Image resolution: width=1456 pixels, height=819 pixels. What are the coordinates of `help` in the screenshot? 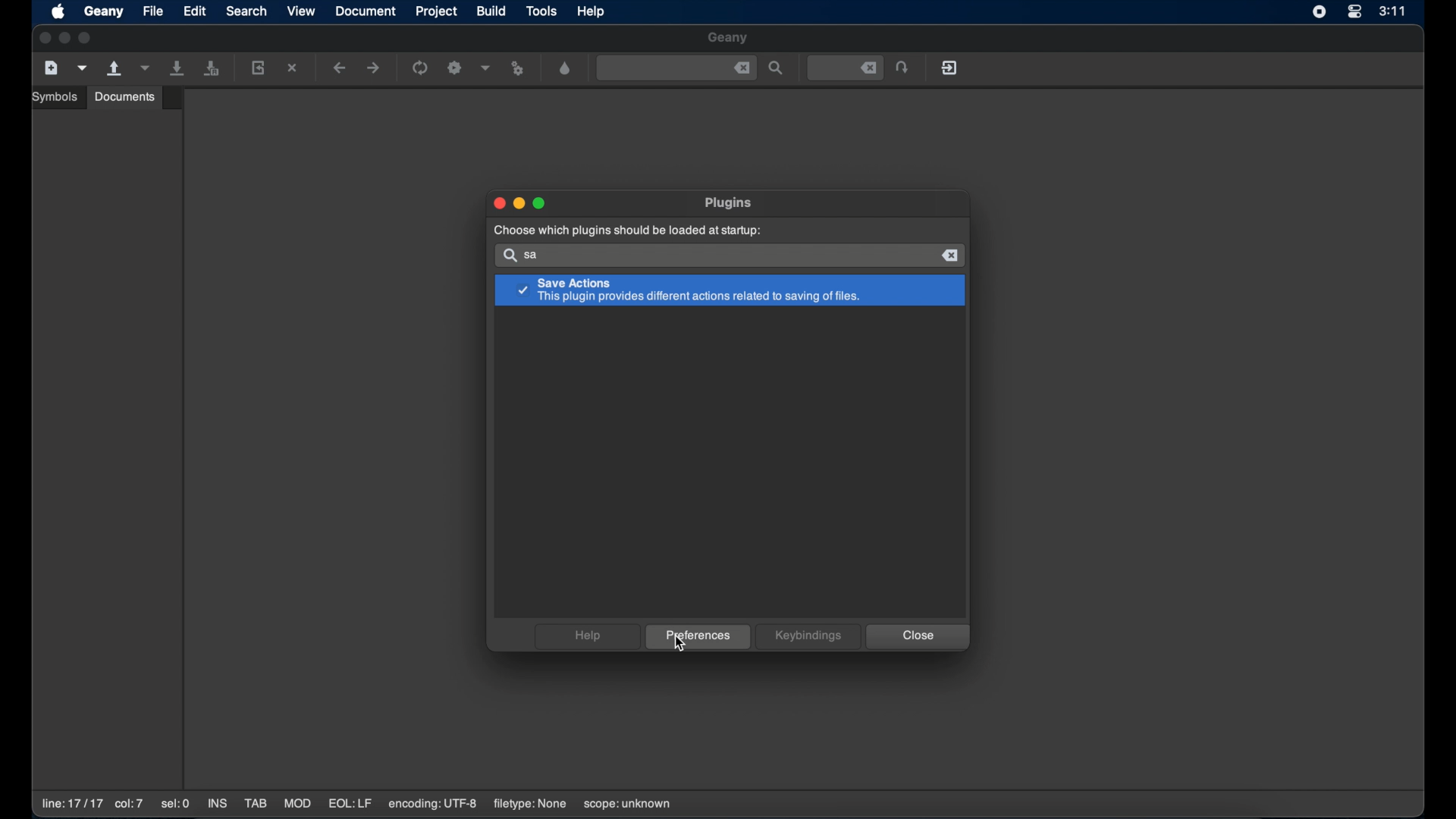 It's located at (592, 11).